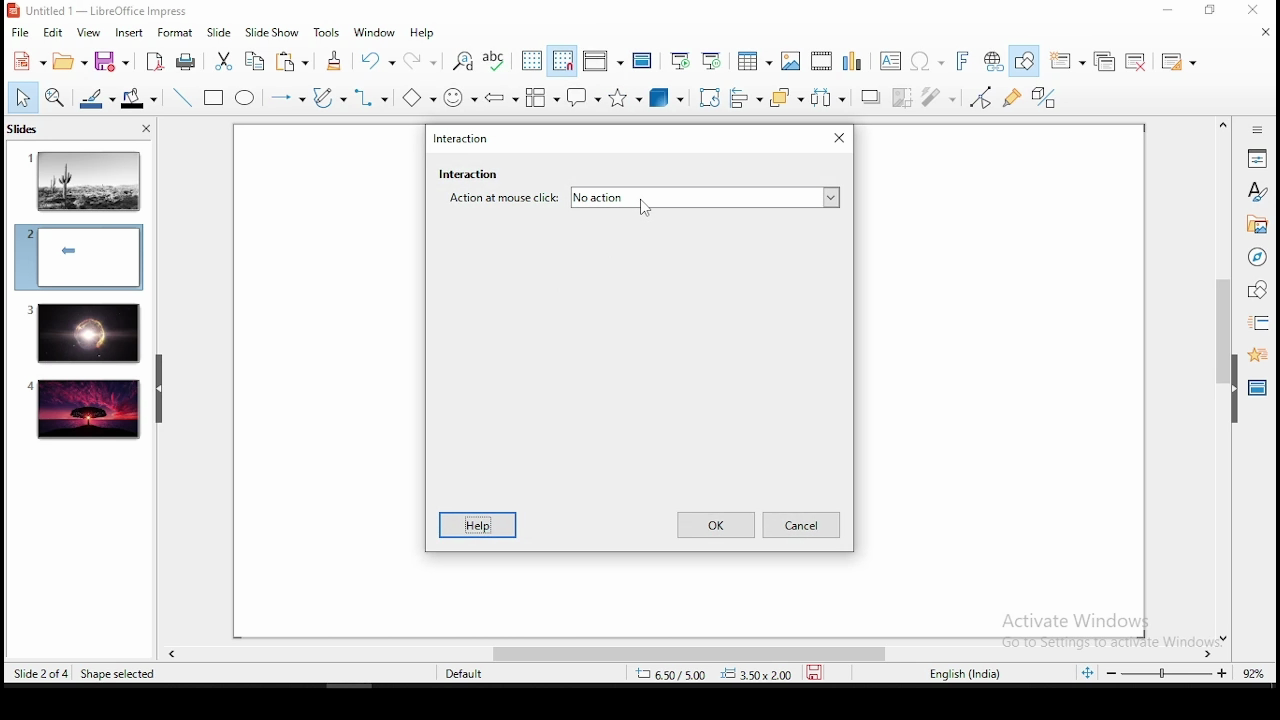 The height and width of the screenshot is (720, 1280). Describe the element at coordinates (23, 33) in the screenshot. I see `file` at that location.